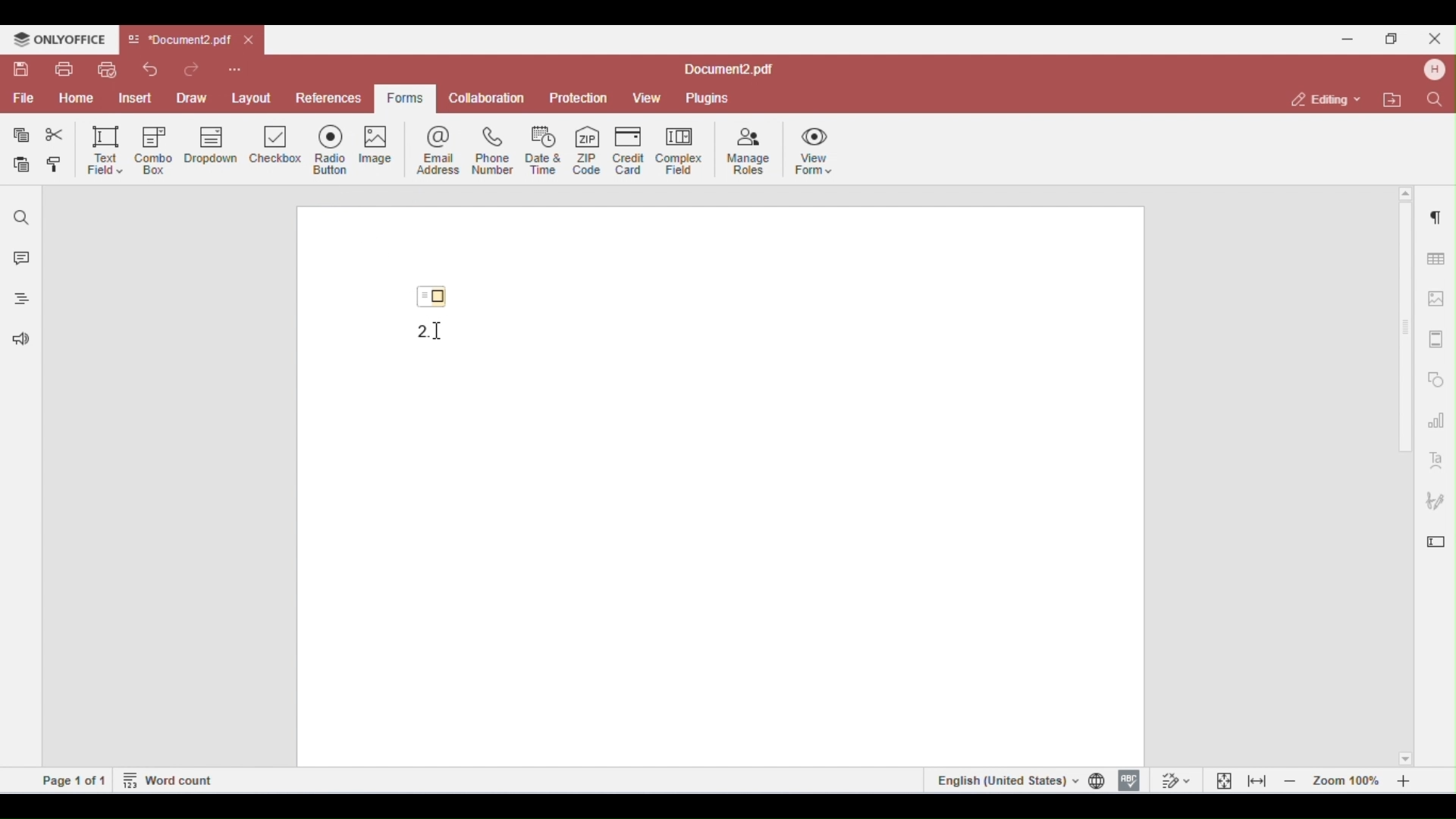 The image size is (1456, 819). What do you see at coordinates (1432, 214) in the screenshot?
I see `paragraph settings` at bounding box center [1432, 214].